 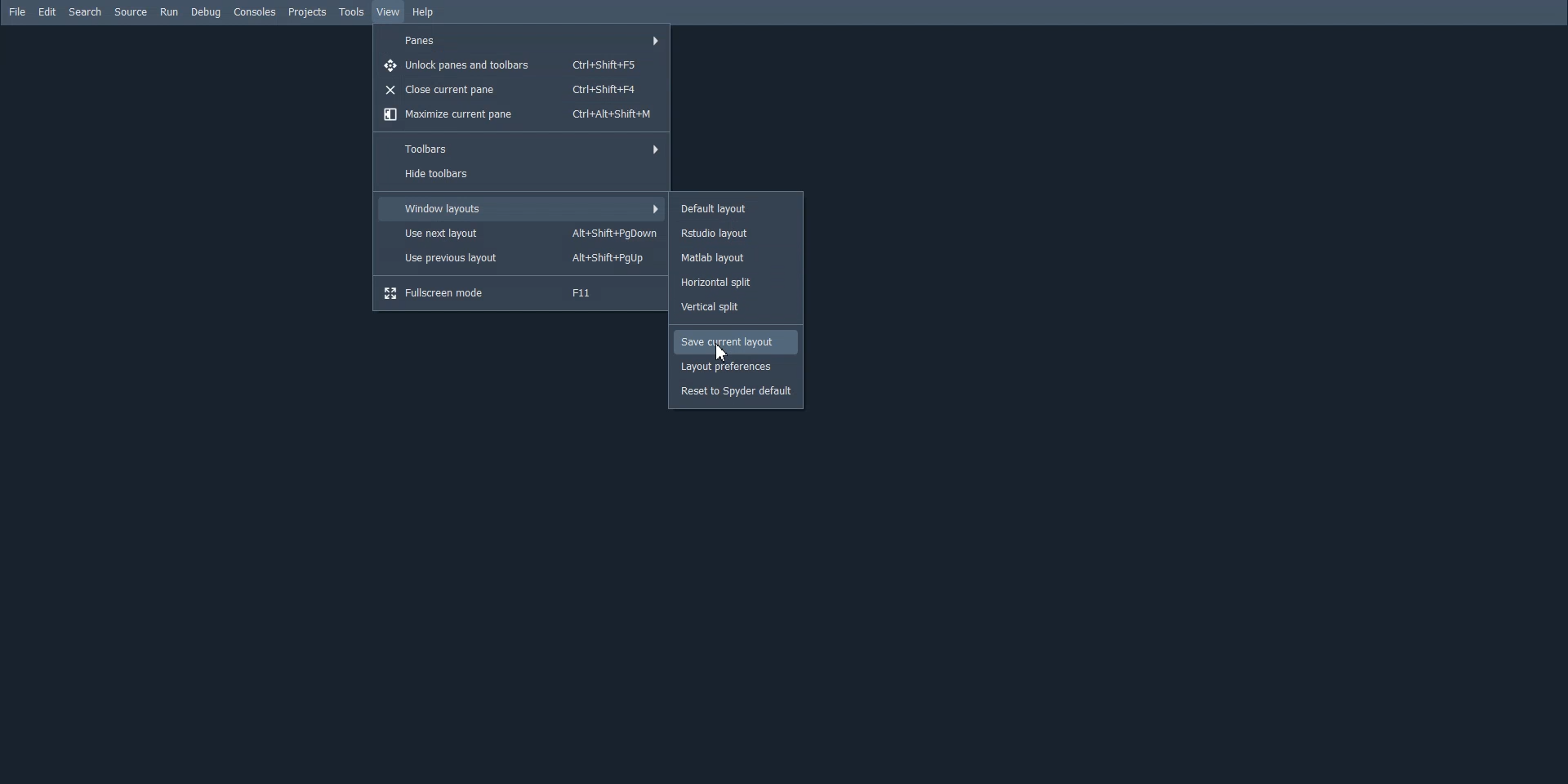 What do you see at coordinates (736, 207) in the screenshot?
I see `Default layout` at bounding box center [736, 207].